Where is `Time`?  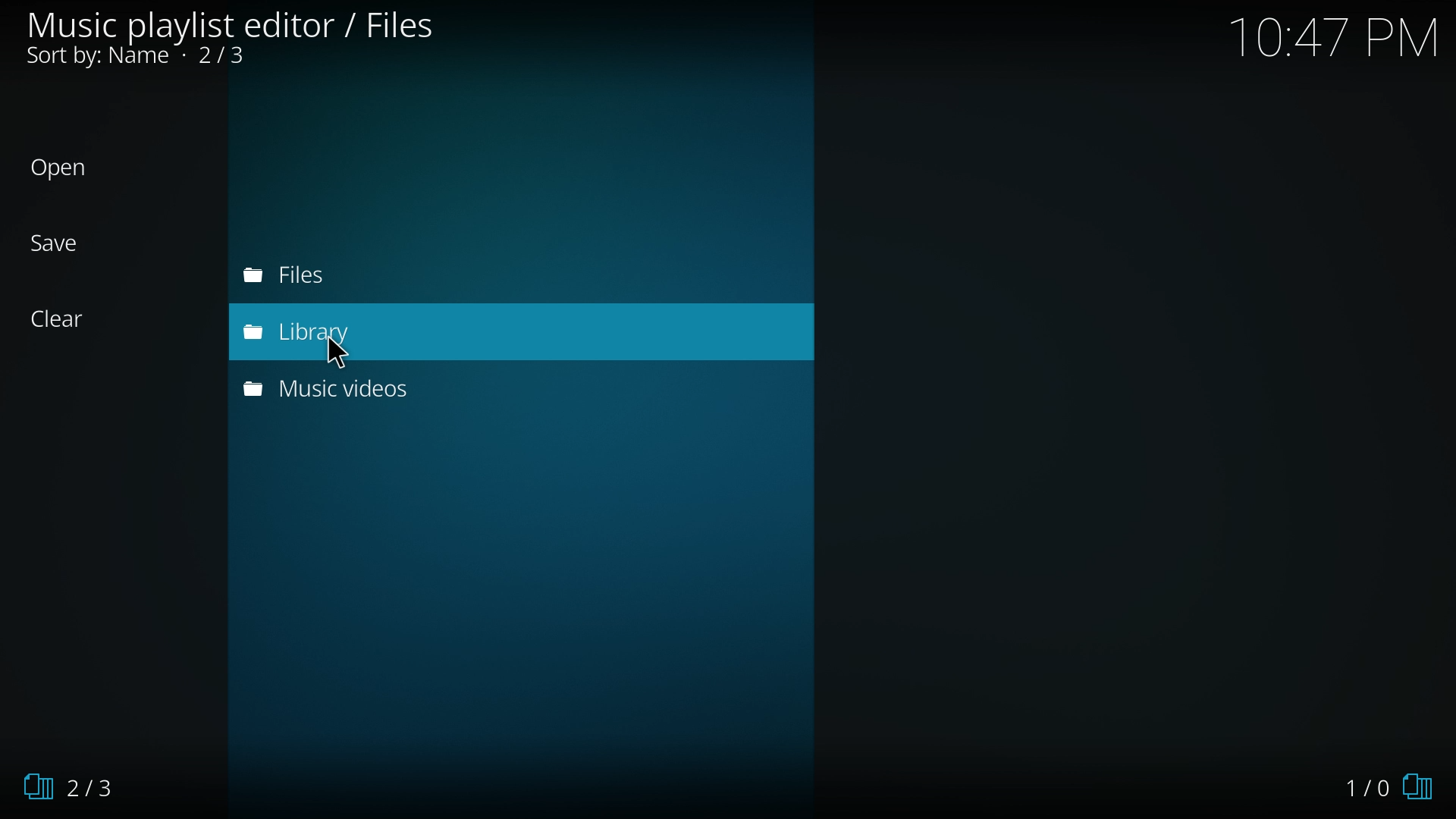
Time is located at coordinates (1341, 37).